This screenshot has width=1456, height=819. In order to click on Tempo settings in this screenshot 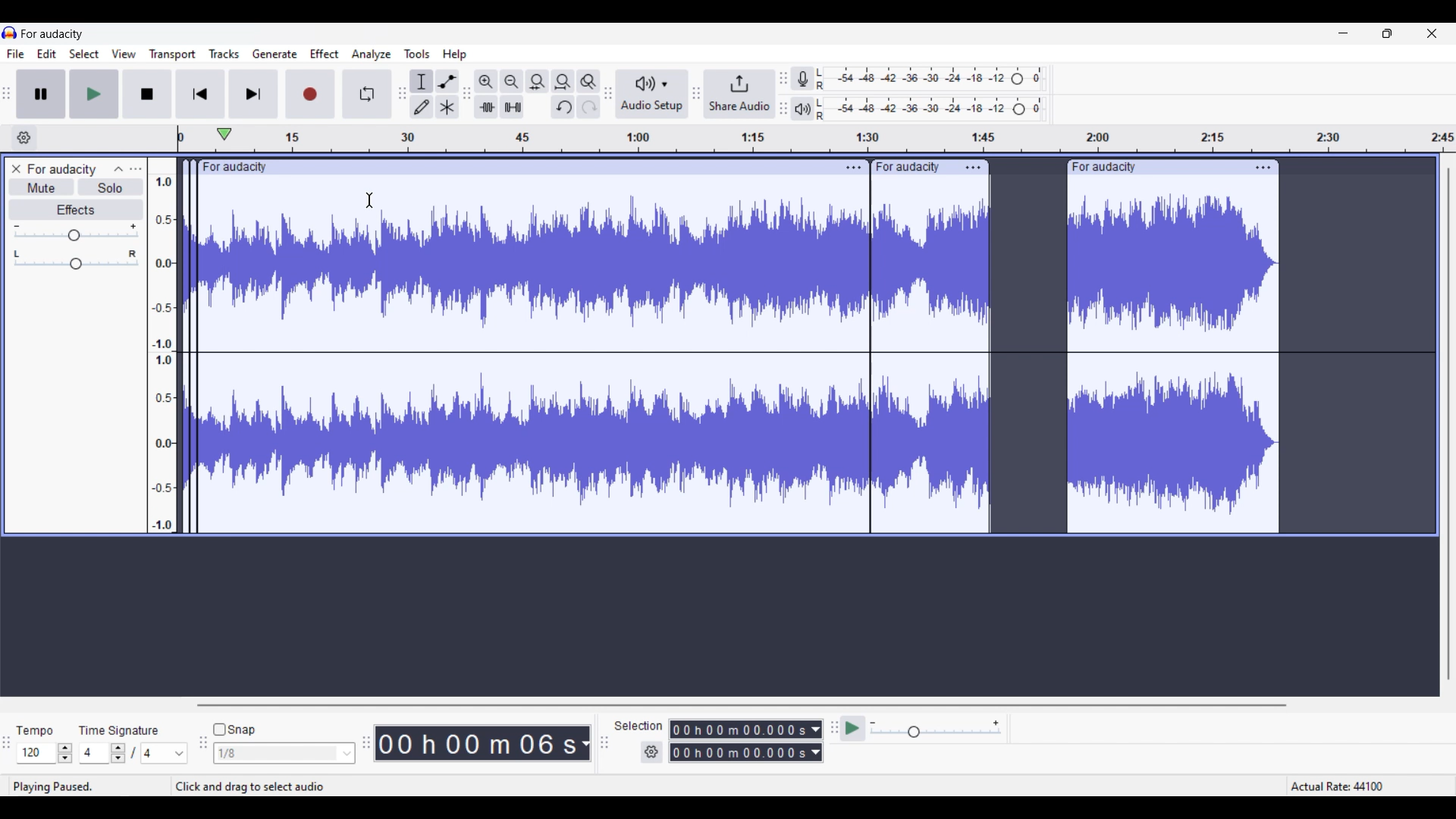, I will do `click(45, 753)`.